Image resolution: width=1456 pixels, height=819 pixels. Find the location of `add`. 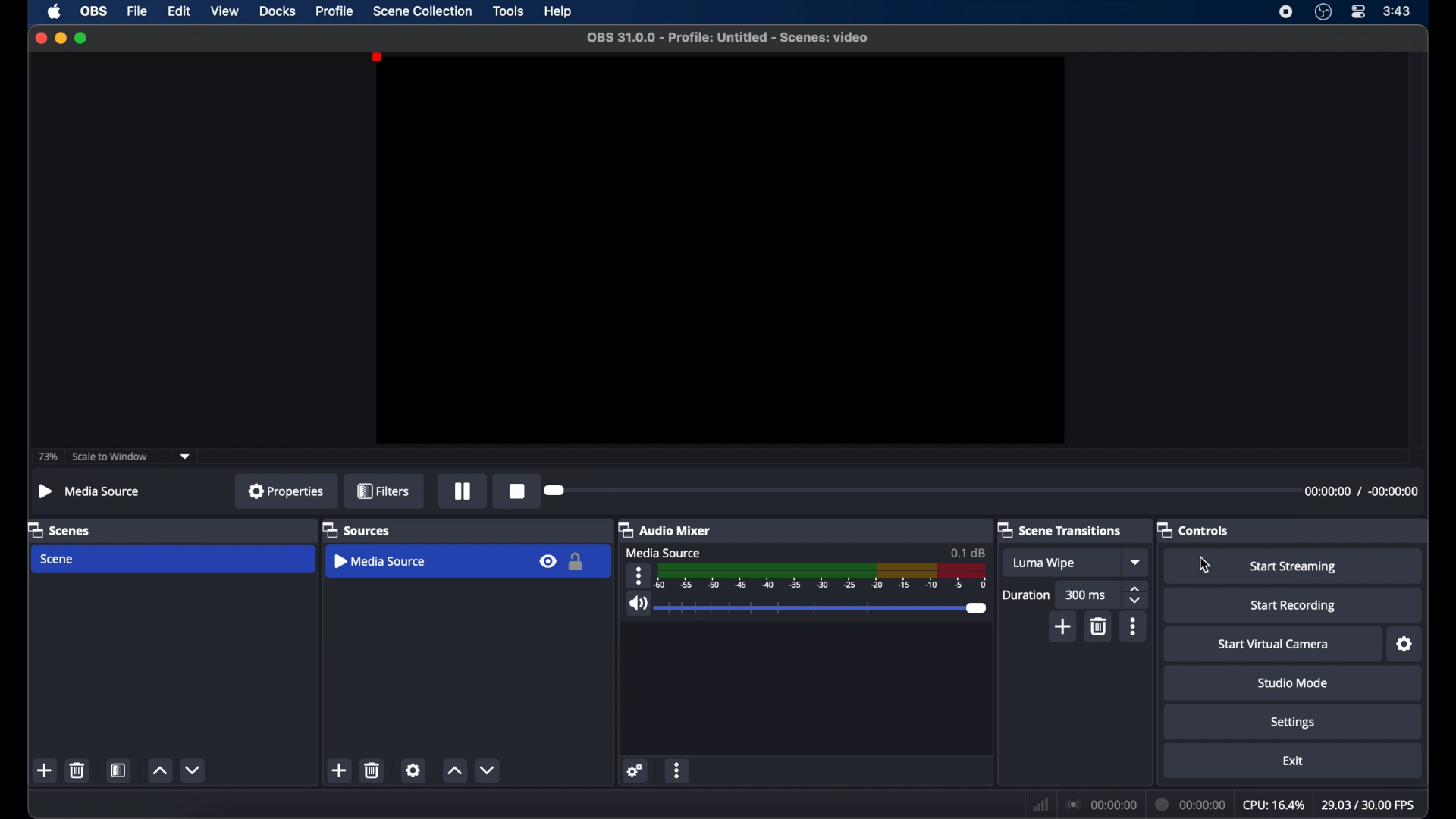

add is located at coordinates (1064, 627).